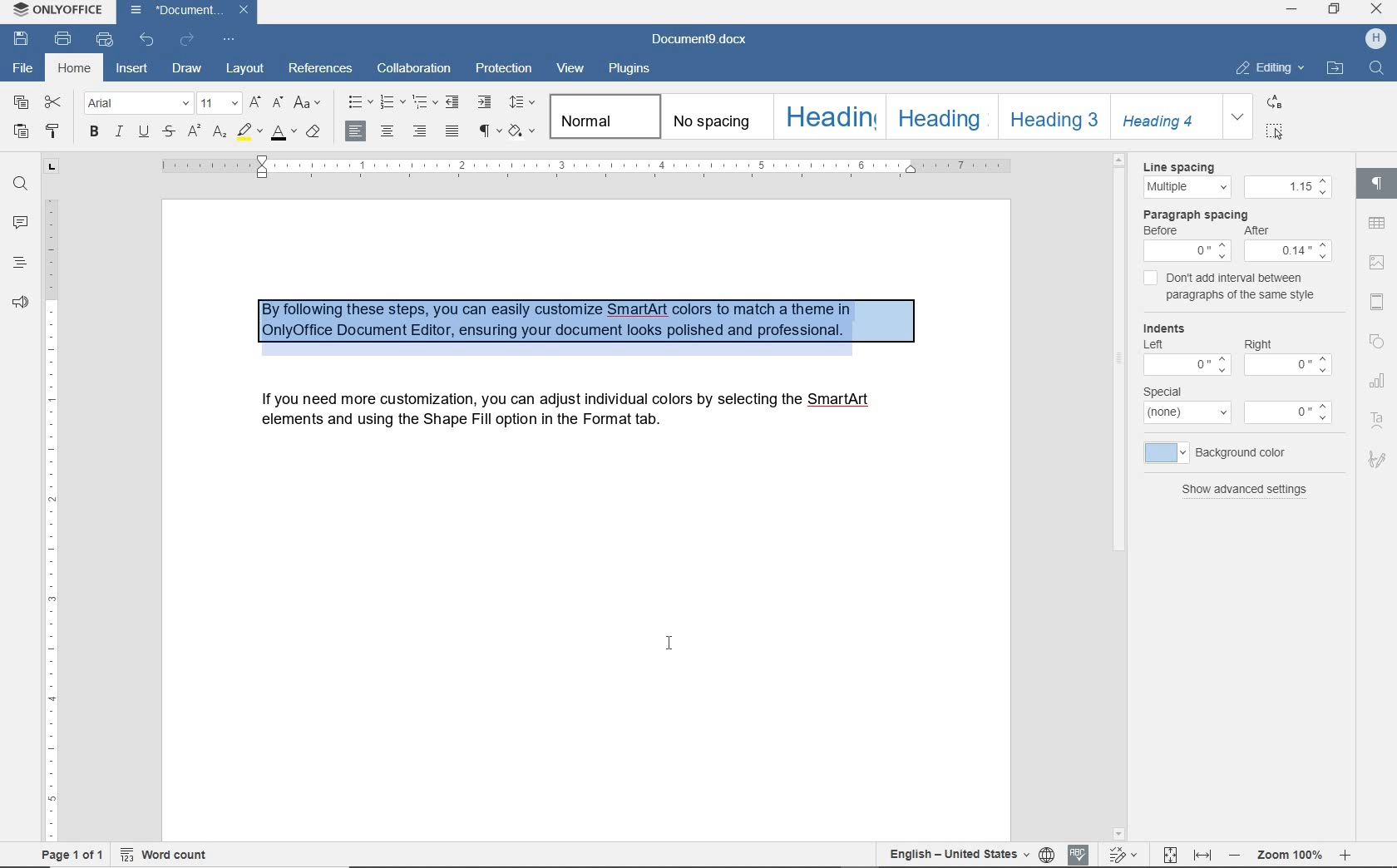  What do you see at coordinates (636, 69) in the screenshot?
I see `plugins` at bounding box center [636, 69].